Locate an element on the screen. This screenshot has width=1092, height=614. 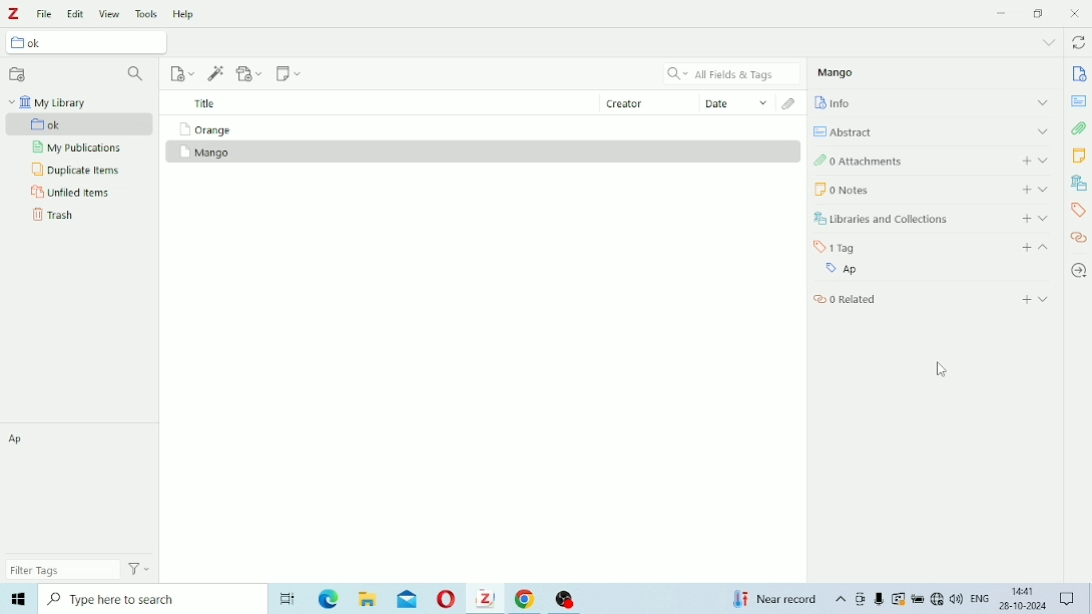
Mail is located at coordinates (410, 599).